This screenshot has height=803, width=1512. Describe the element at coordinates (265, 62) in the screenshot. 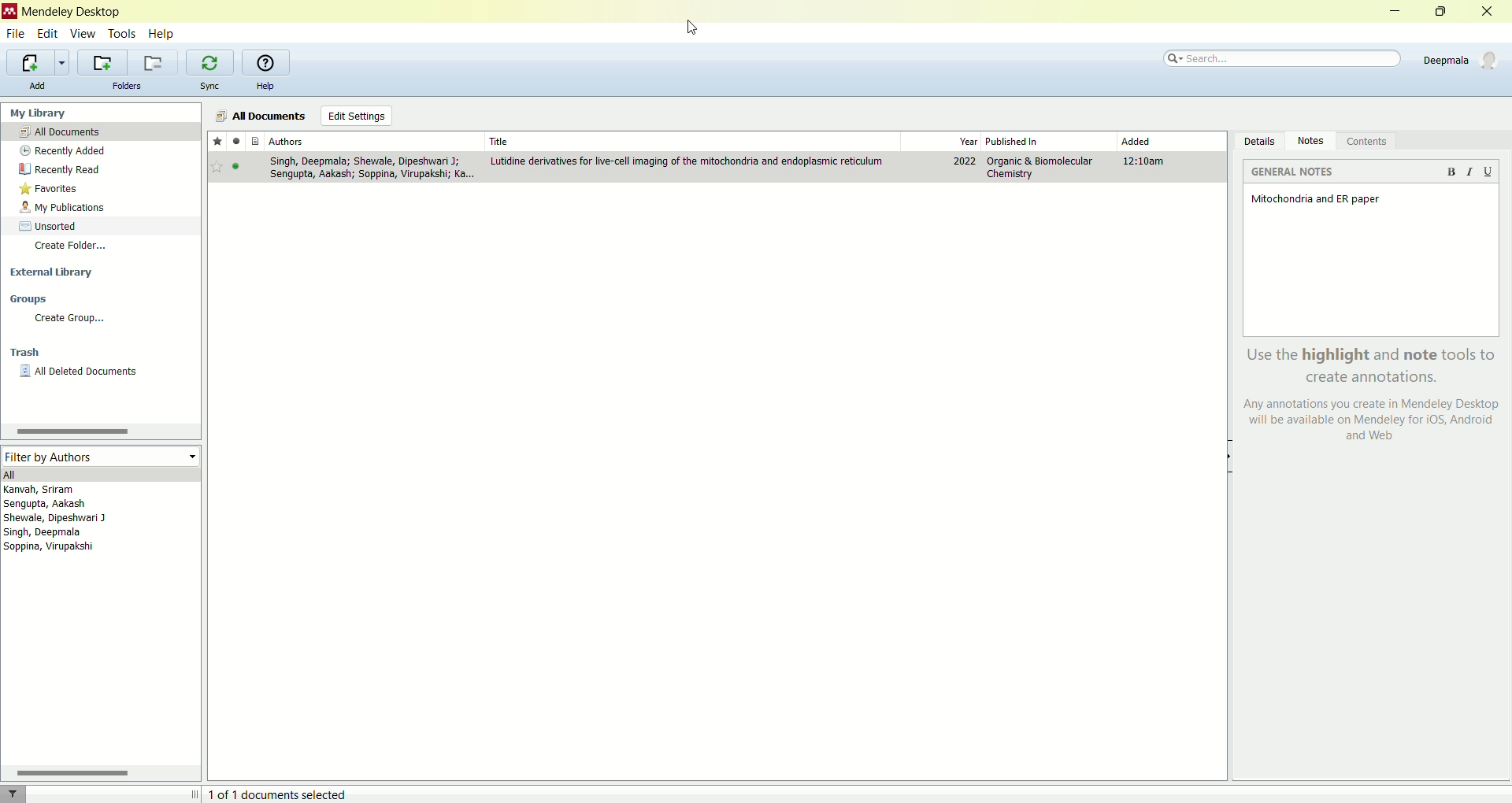

I see `open the online help guide for Mendeley` at that location.